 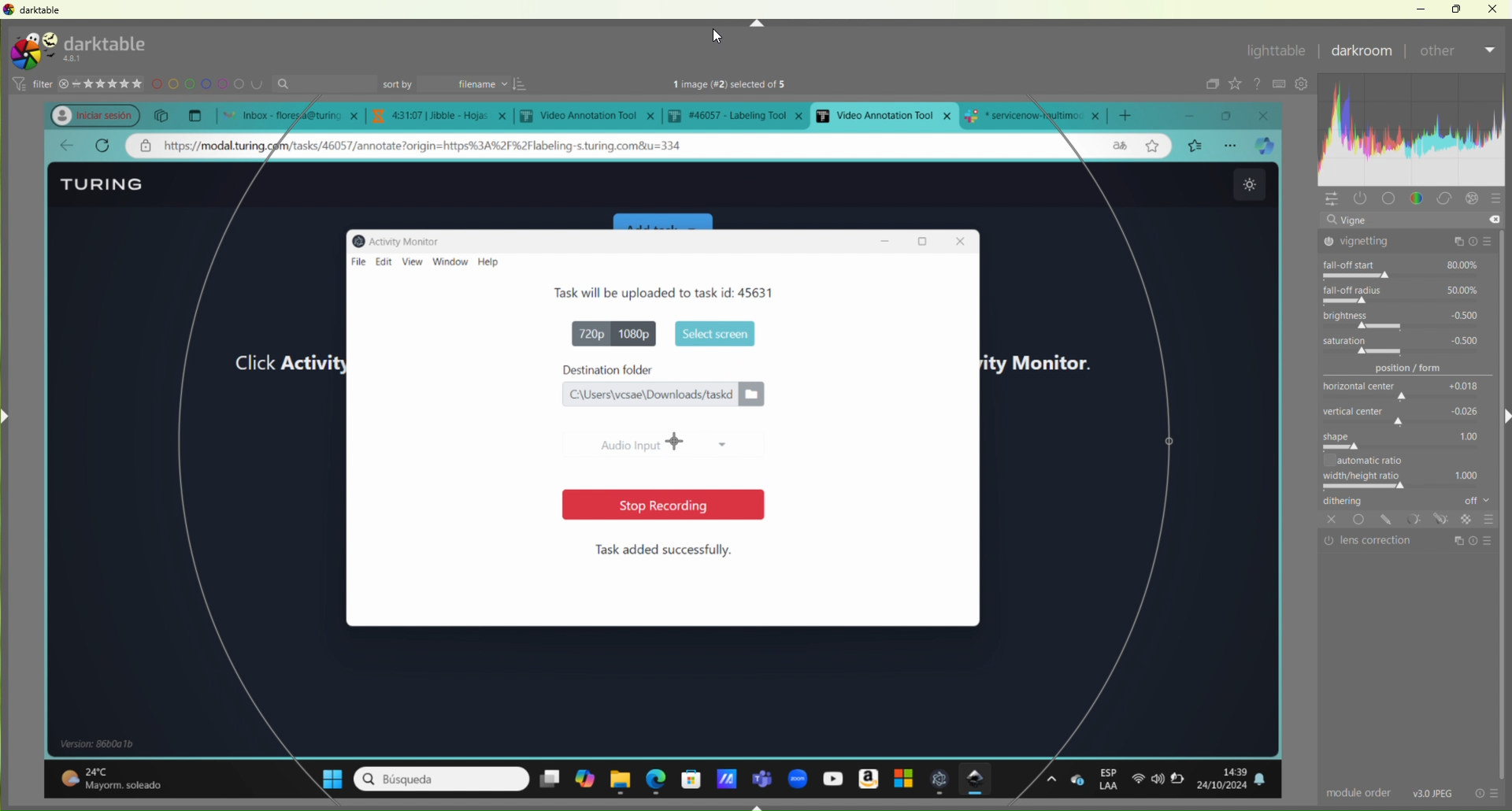 What do you see at coordinates (30, 84) in the screenshot?
I see `filter` at bounding box center [30, 84].